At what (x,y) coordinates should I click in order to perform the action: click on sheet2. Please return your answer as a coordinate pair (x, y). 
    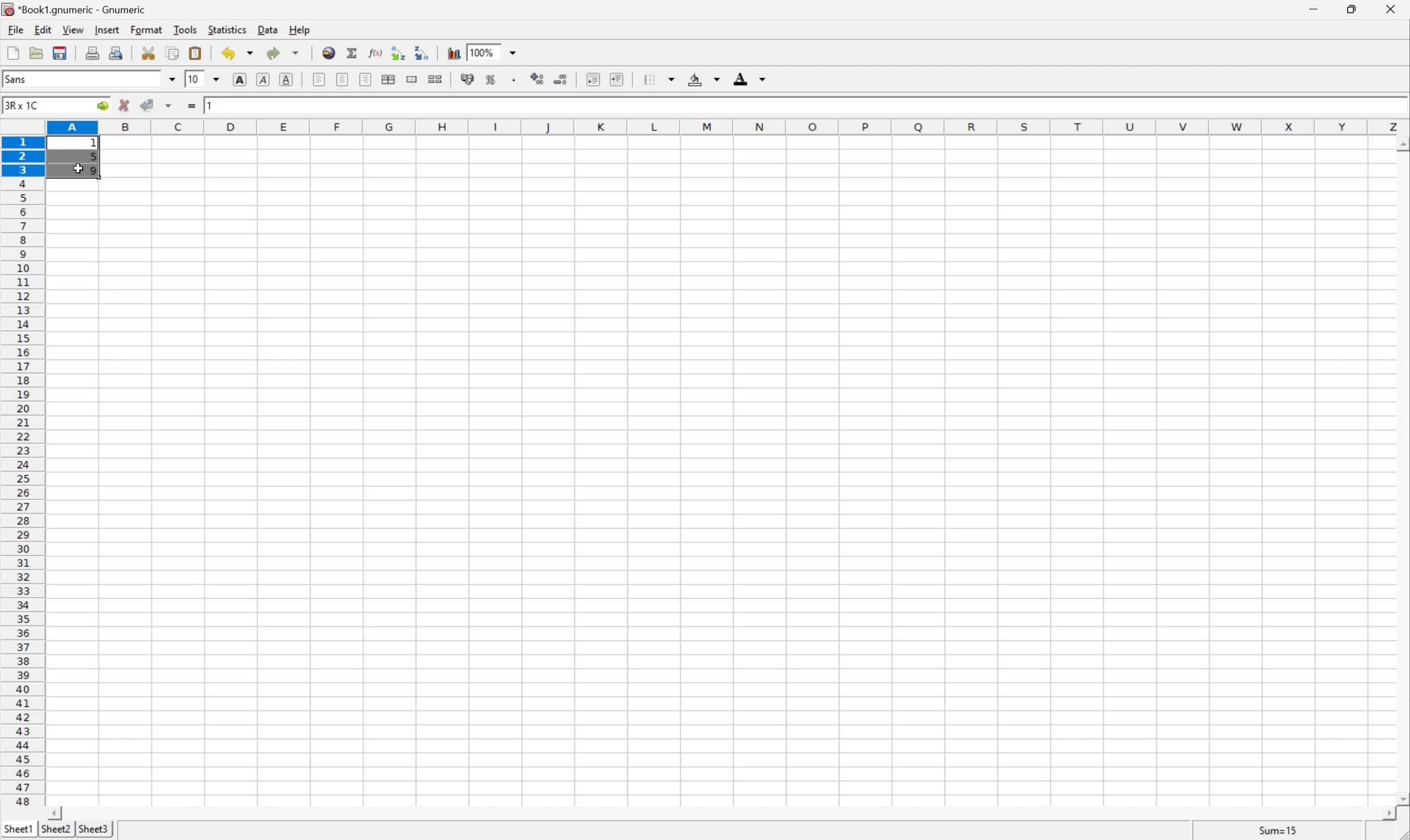
    Looking at the image, I should click on (55, 832).